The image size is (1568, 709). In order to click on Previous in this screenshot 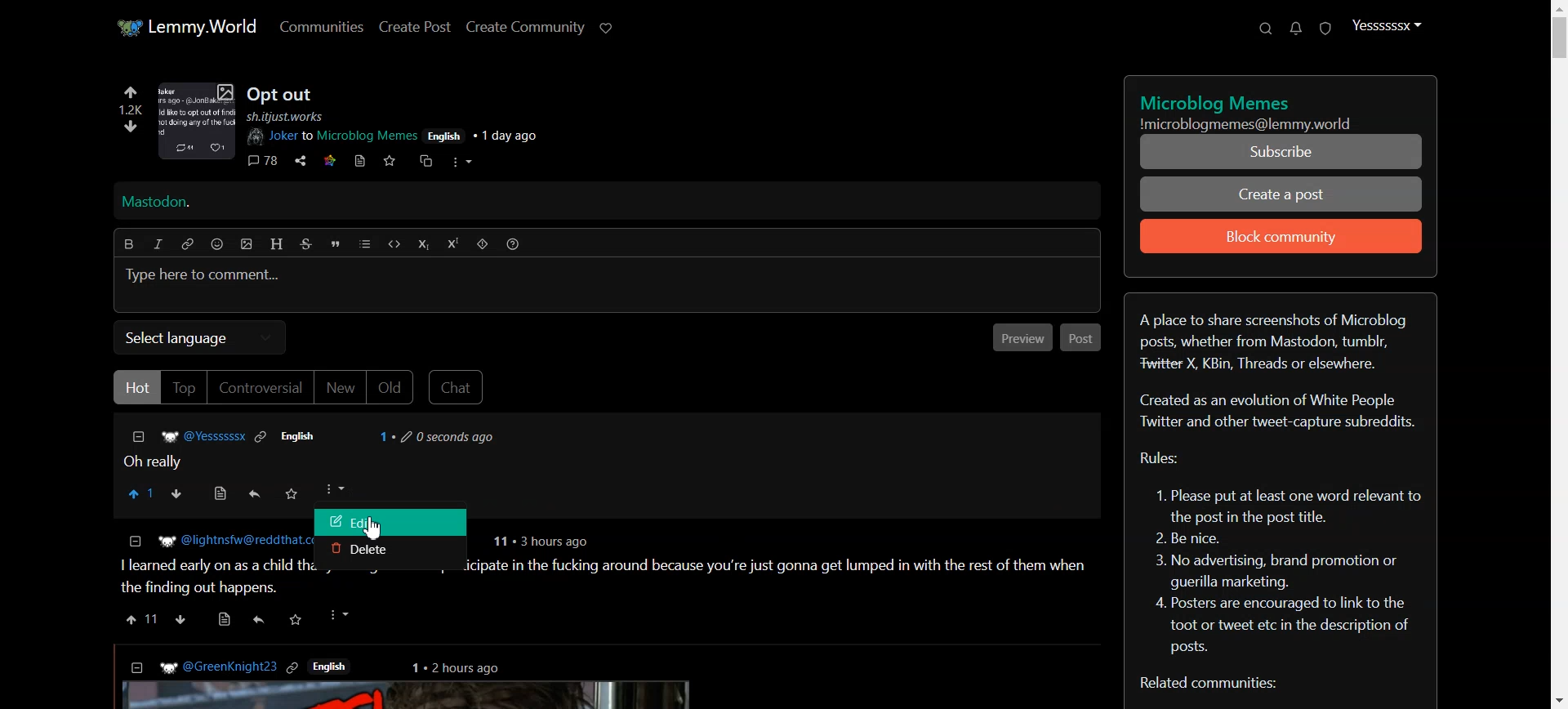, I will do `click(1021, 337)`.